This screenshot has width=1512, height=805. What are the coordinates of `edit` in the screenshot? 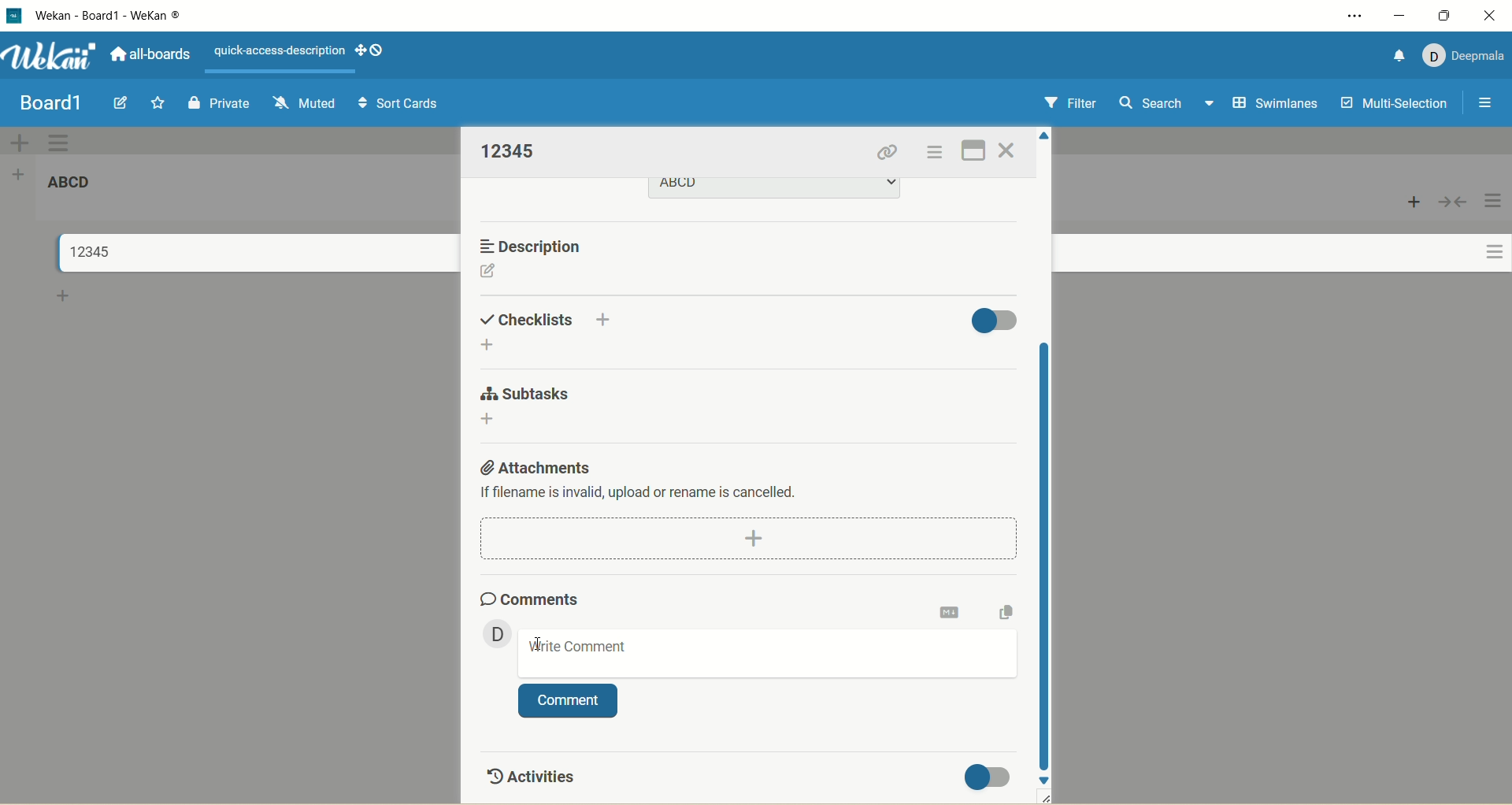 It's located at (487, 273).